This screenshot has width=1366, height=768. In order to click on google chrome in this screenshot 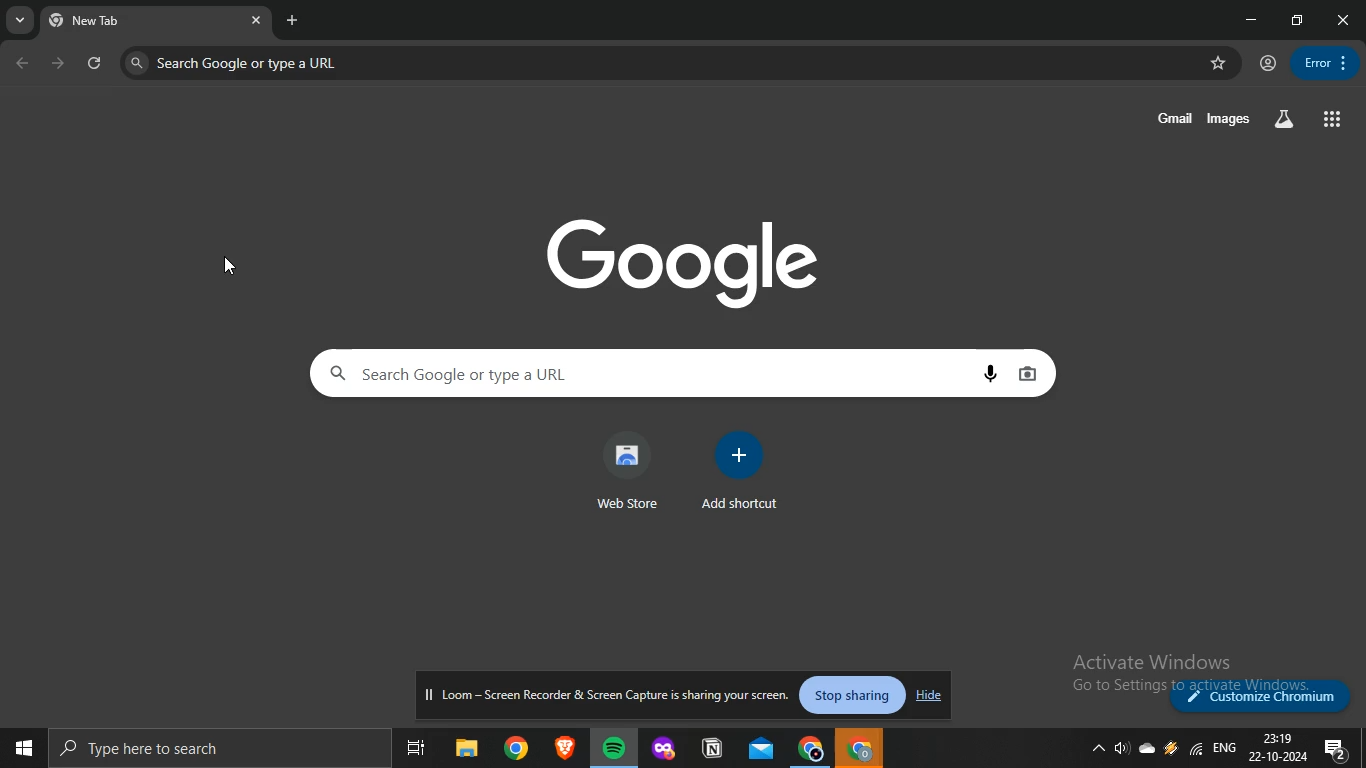, I will do `click(861, 746)`.